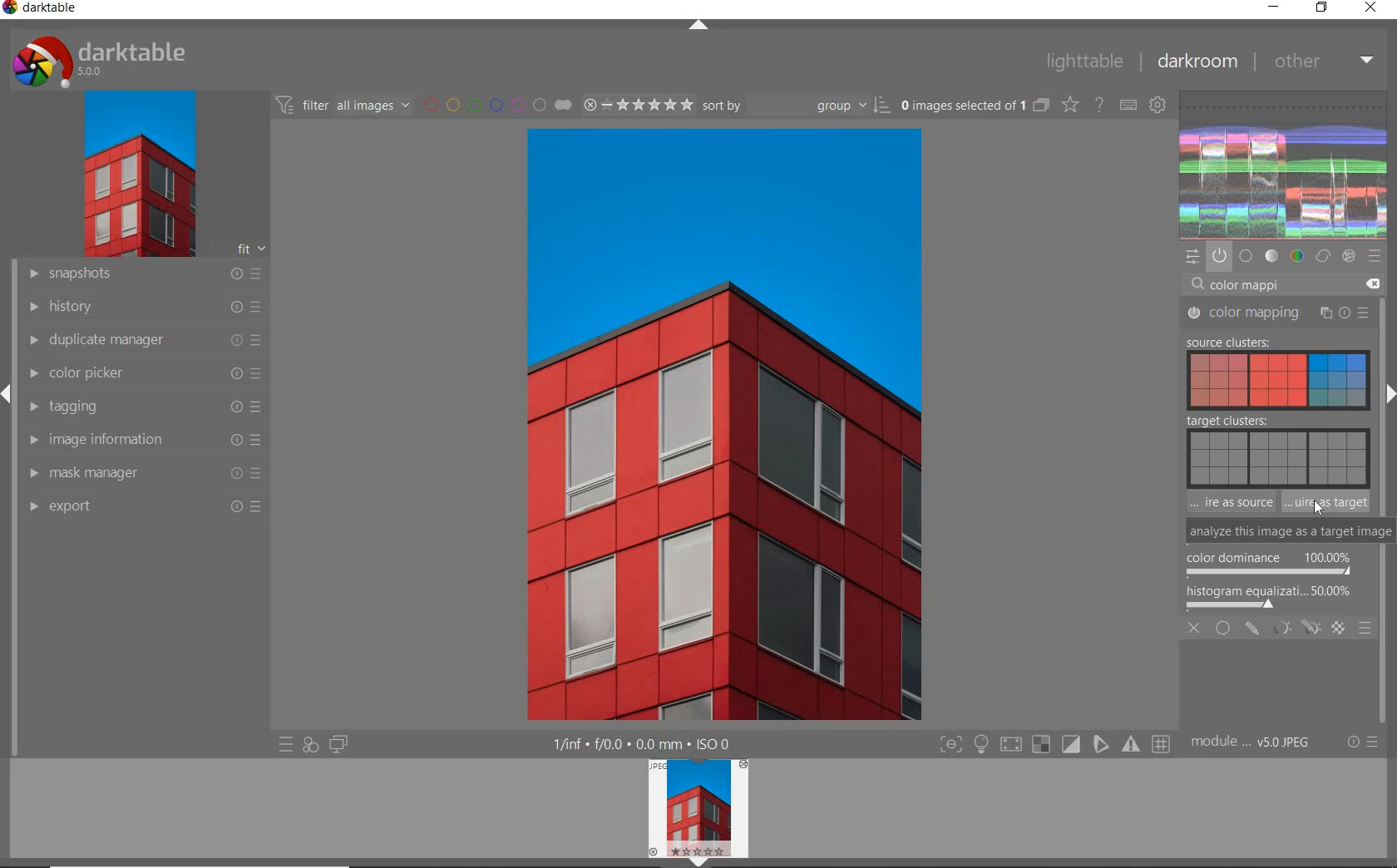 The height and width of the screenshot is (868, 1397). What do you see at coordinates (1252, 742) in the screenshot?
I see `module order` at bounding box center [1252, 742].